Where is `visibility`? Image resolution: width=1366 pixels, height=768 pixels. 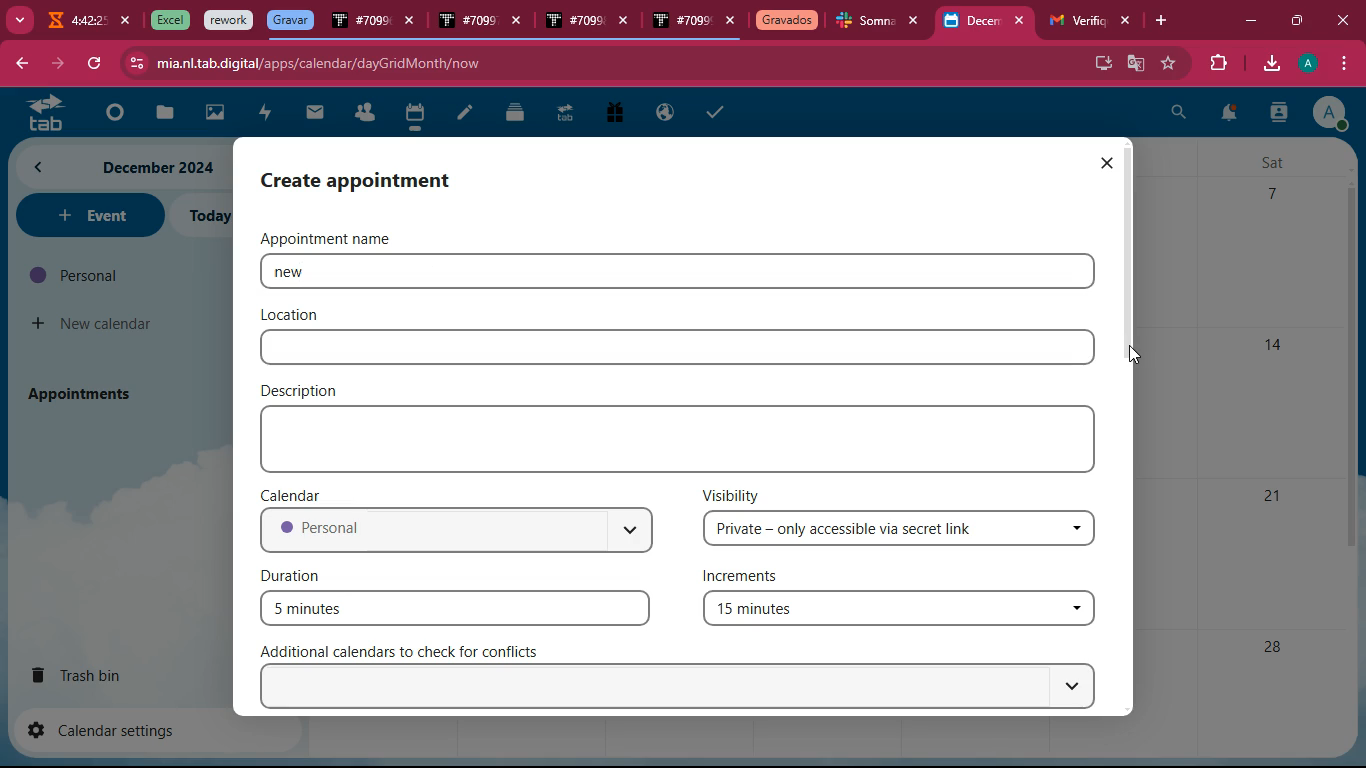
visibility is located at coordinates (732, 494).